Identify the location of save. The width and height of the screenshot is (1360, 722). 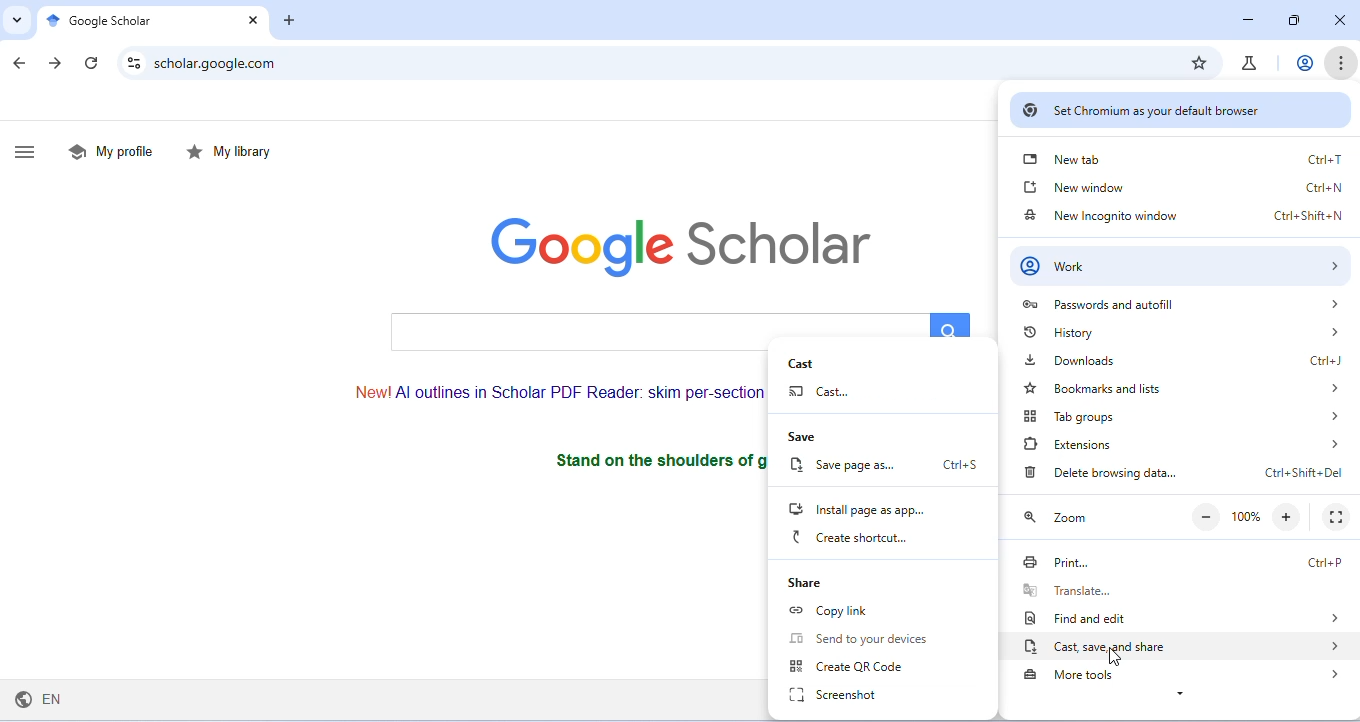
(816, 438).